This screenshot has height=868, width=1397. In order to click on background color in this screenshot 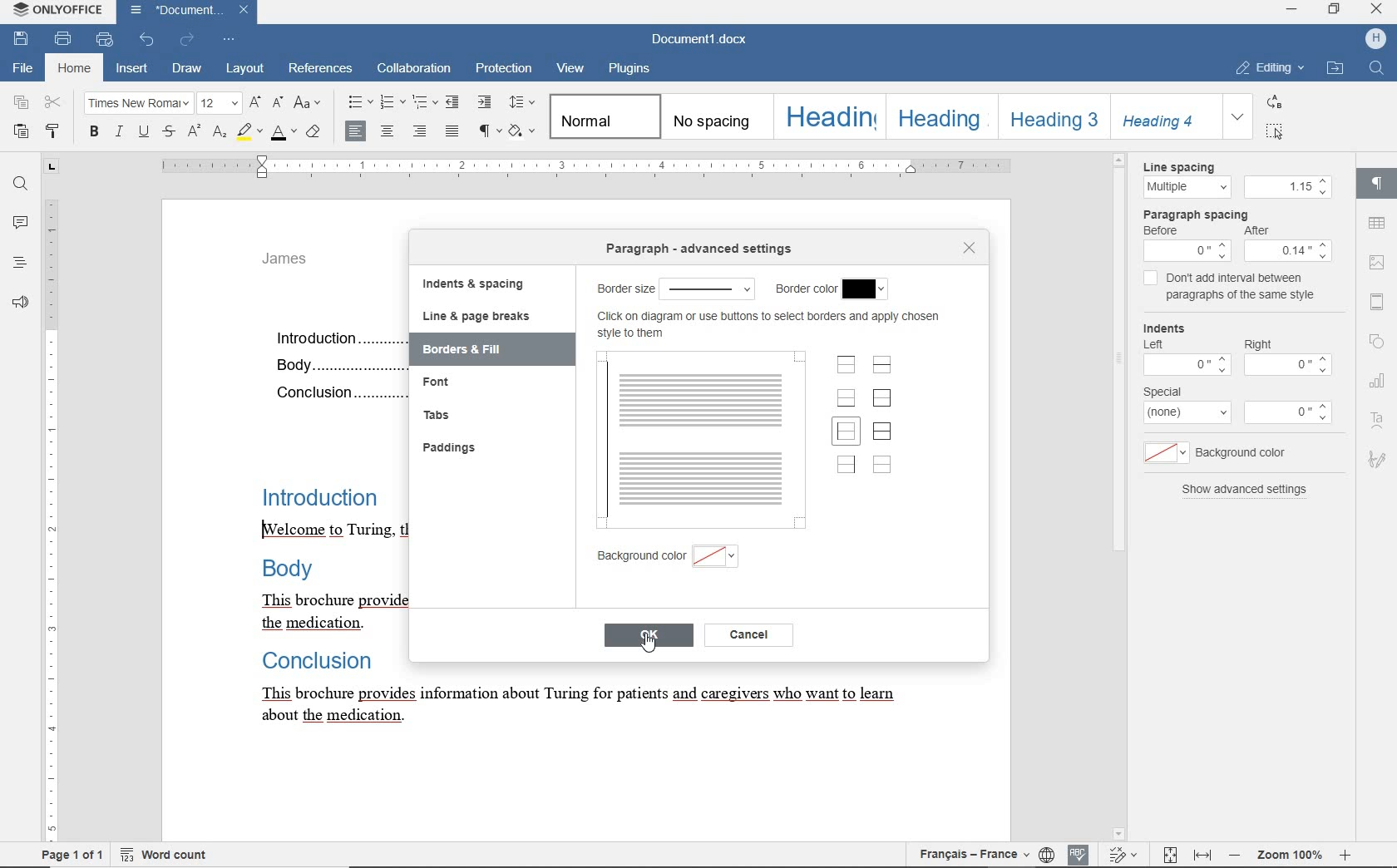, I will do `click(1251, 452)`.